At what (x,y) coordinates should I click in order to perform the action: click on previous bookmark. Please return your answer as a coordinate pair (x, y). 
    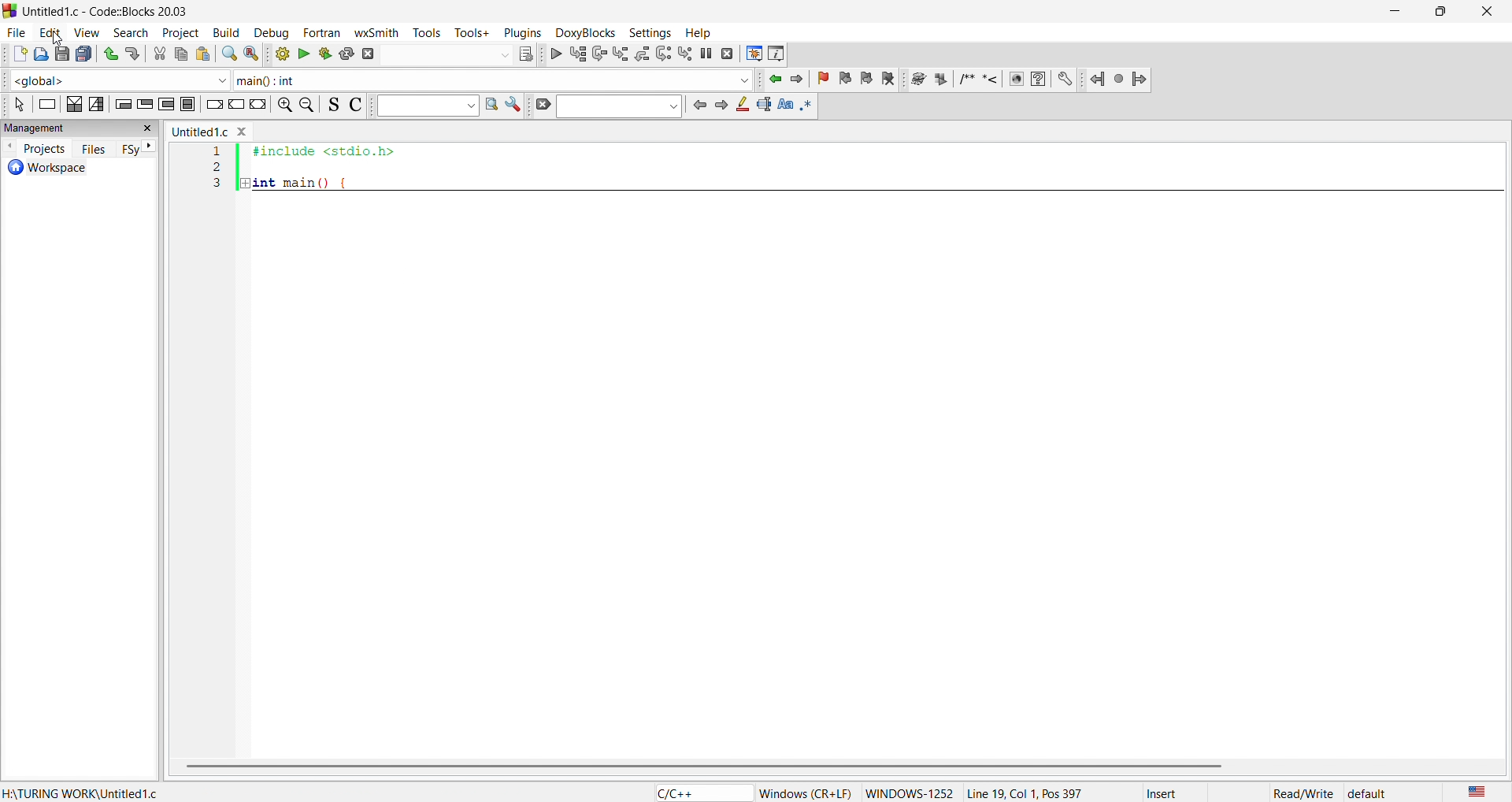
    Looking at the image, I should click on (847, 76).